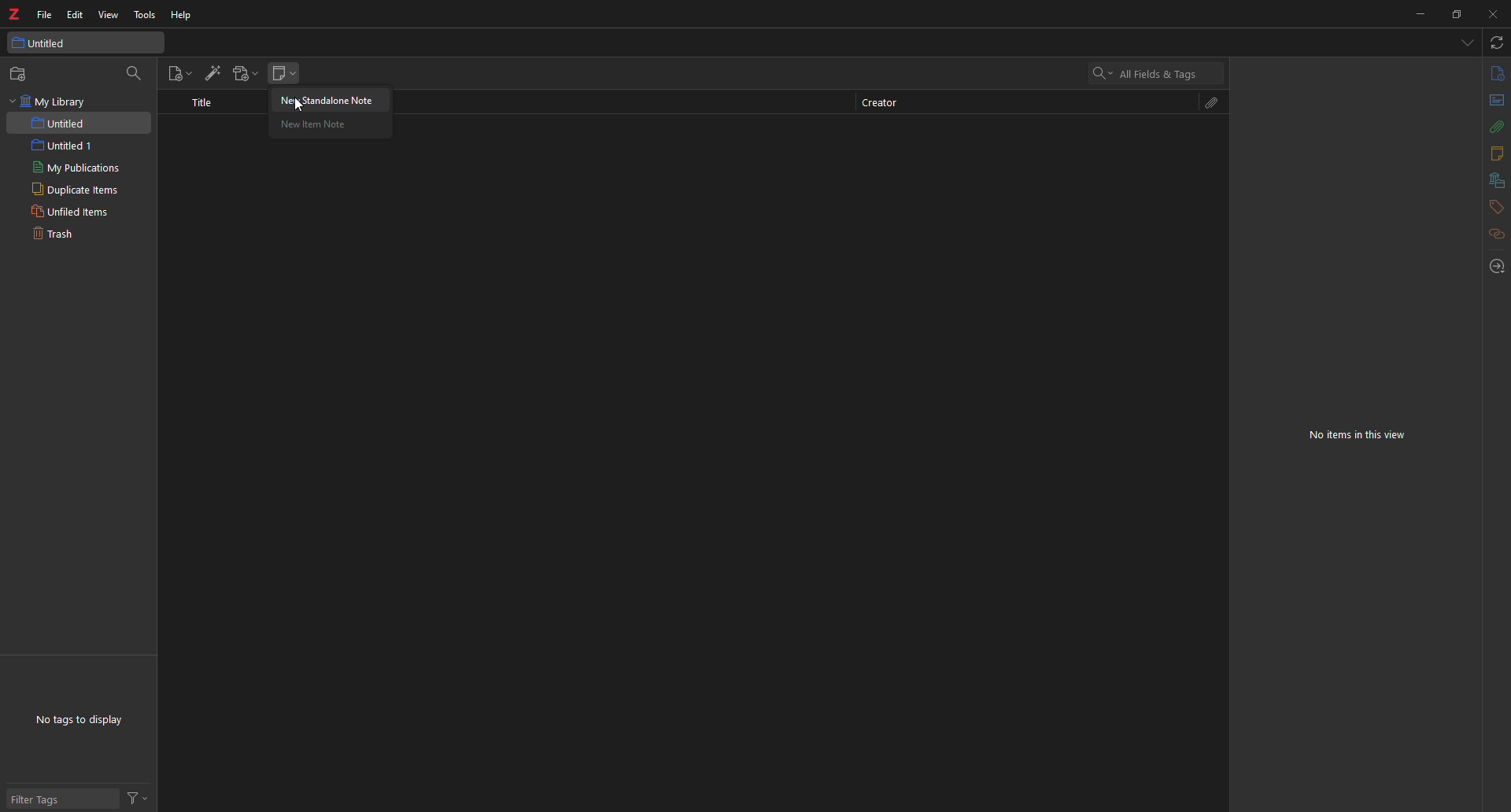 The image size is (1511, 812). I want to click on my publications, so click(76, 168).